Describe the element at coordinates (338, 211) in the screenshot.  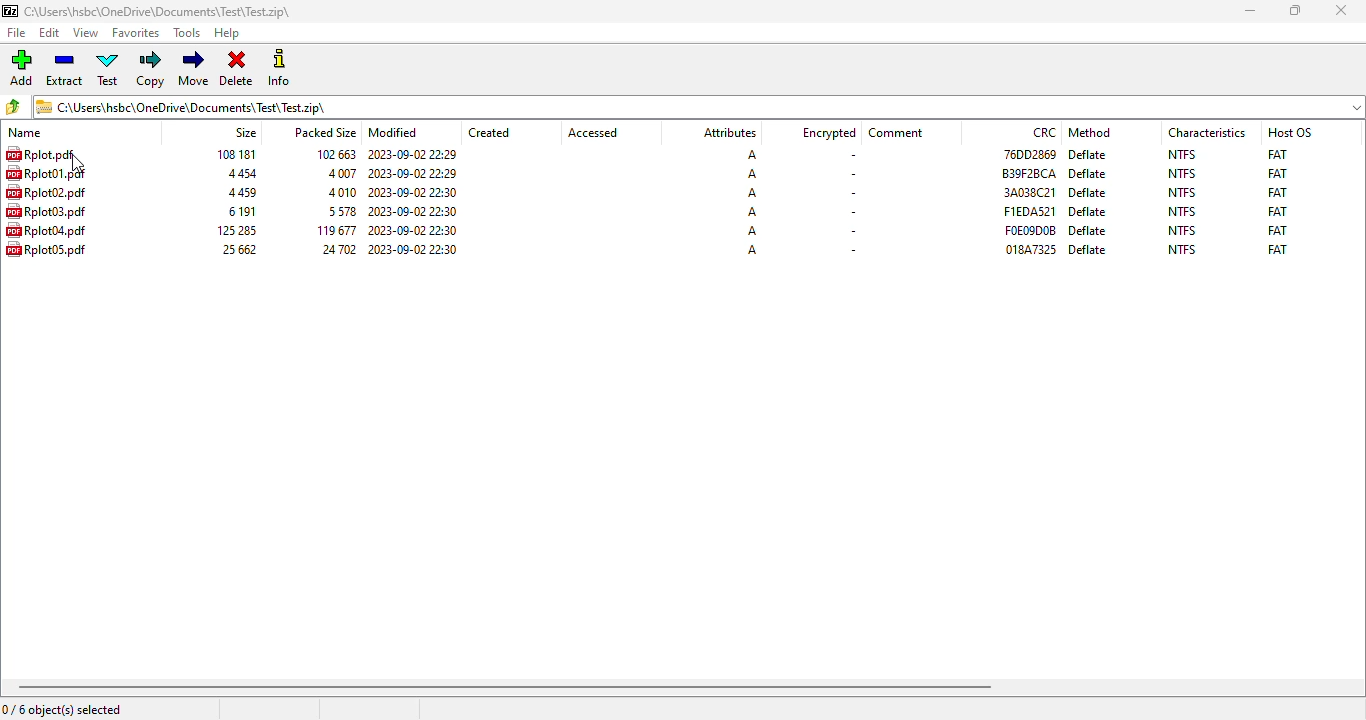
I see `packed size` at that location.